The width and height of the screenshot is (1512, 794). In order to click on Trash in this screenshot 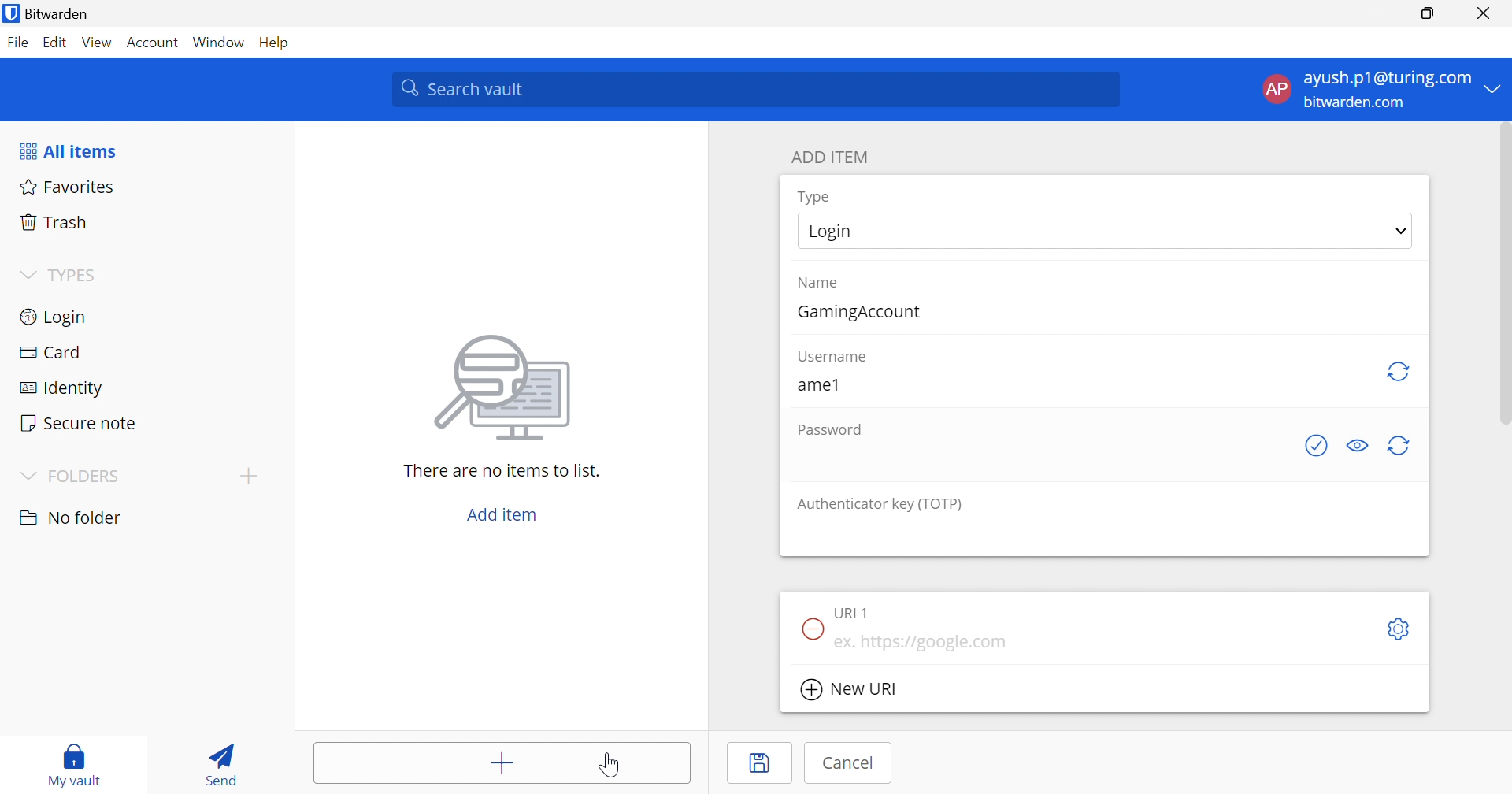, I will do `click(59, 224)`.